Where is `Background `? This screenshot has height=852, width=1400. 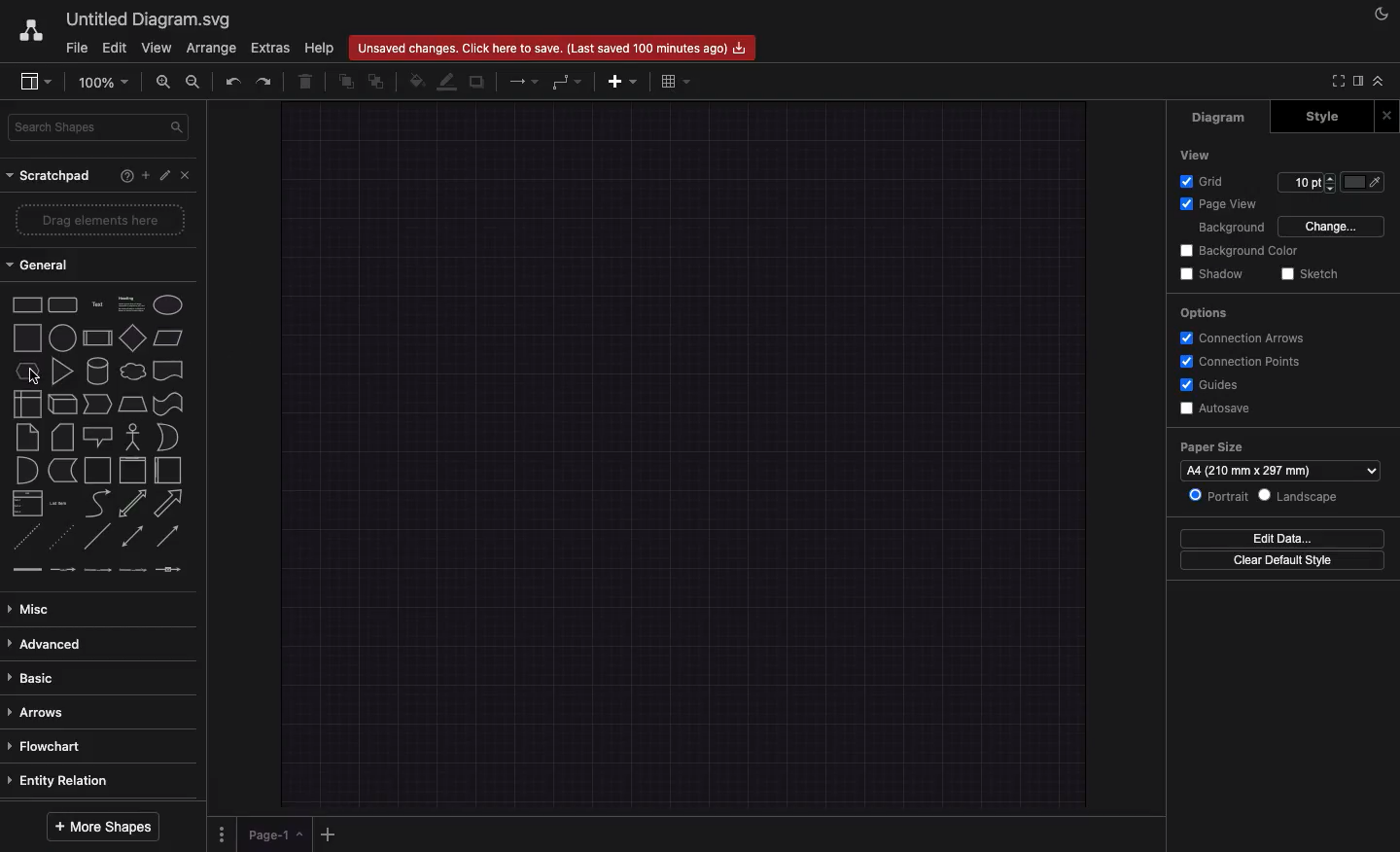 Background  is located at coordinates (1230, 228).